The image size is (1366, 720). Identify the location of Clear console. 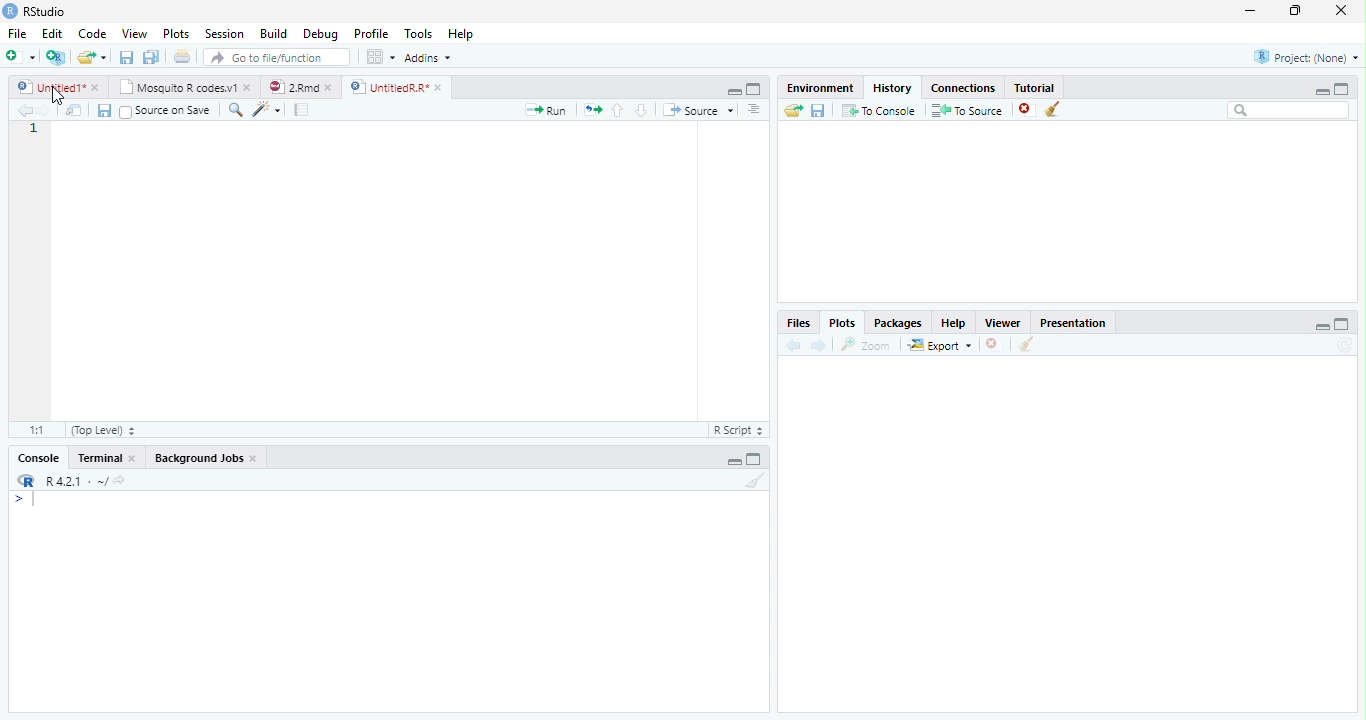
(756, 480).